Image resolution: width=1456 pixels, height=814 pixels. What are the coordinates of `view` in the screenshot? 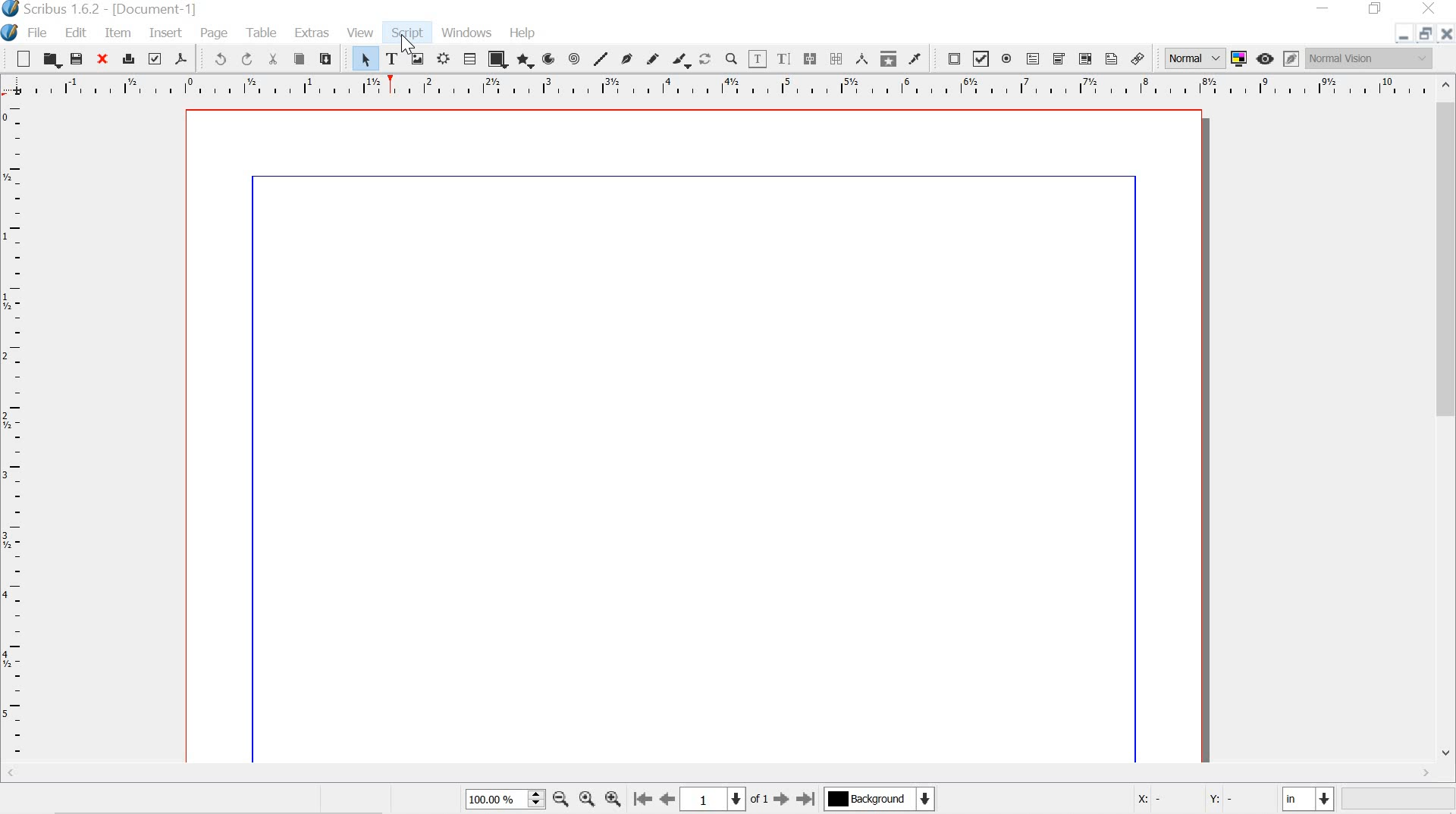 It's located at (361, 31).